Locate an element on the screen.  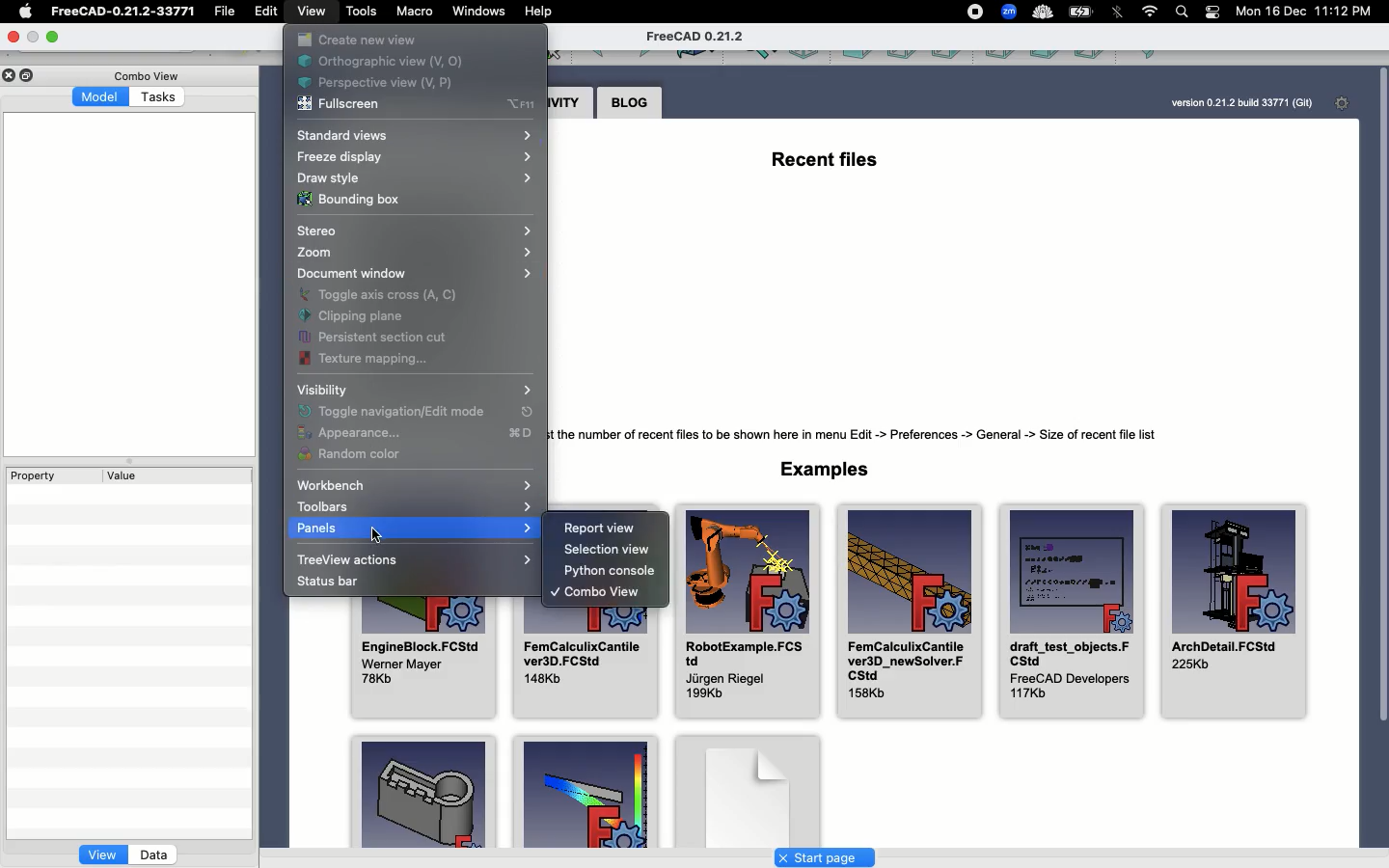
Persistent section cut is located at coordinates (380, 335).